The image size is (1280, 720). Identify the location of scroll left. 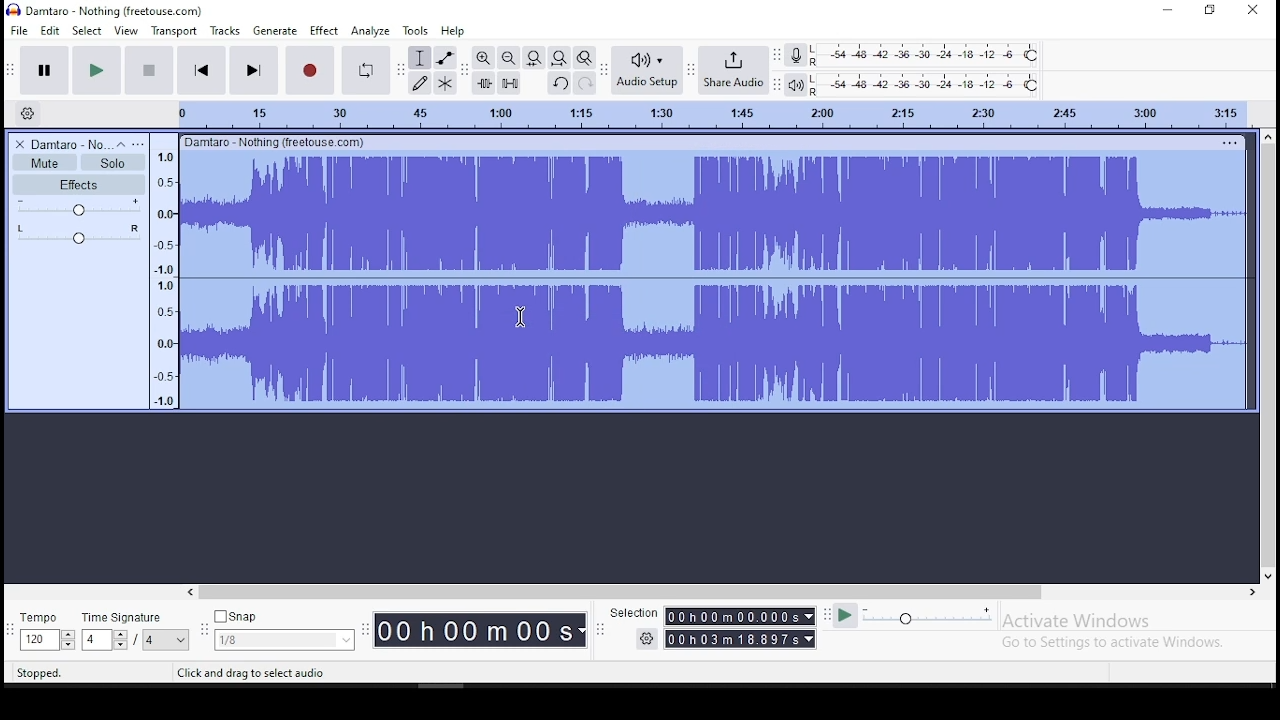
(189, 592).